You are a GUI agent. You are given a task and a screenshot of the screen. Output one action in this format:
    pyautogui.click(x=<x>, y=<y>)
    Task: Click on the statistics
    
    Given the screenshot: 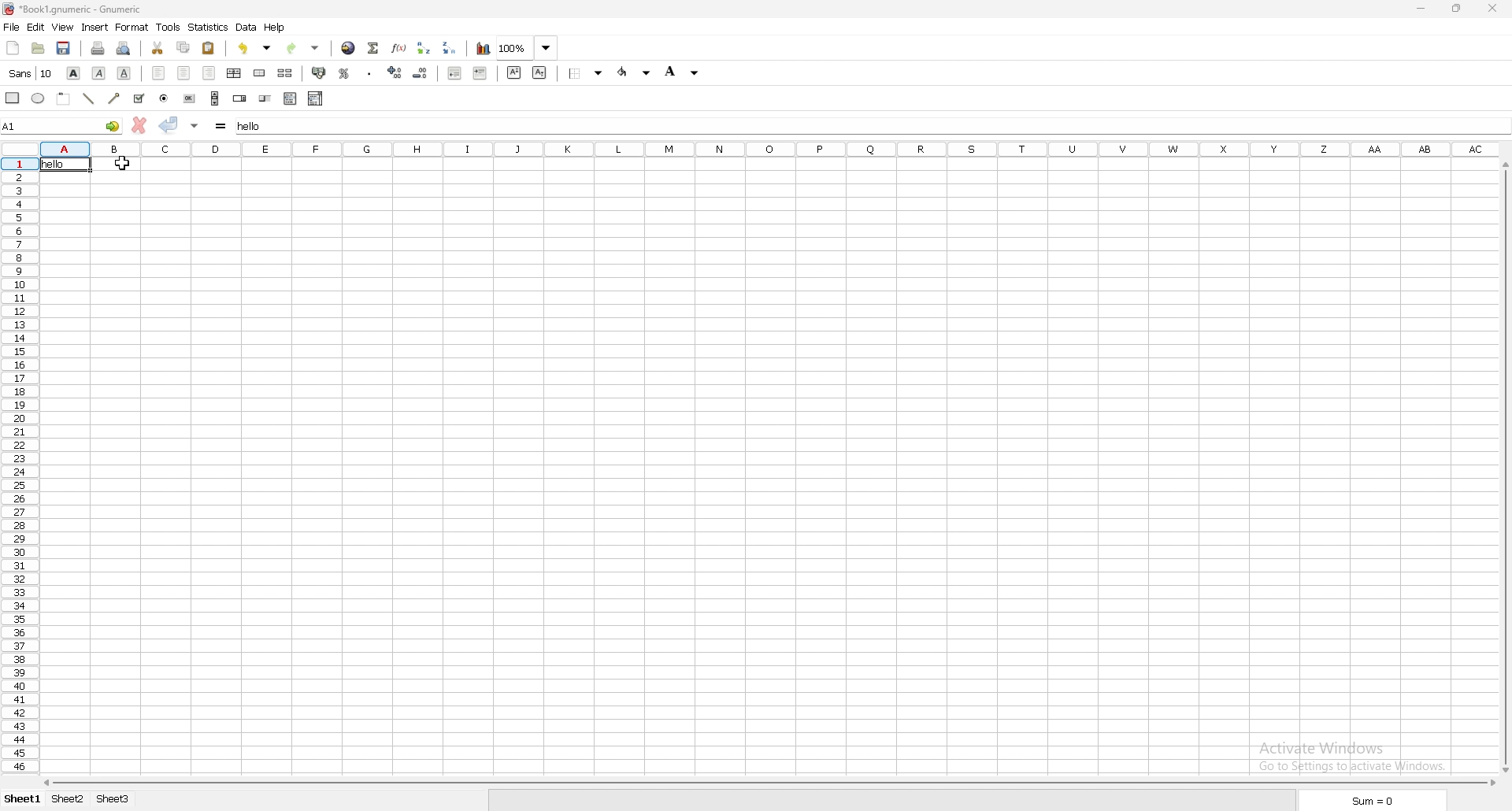 What is the action you would take?
    pyautogui.click(x=209, y=28)
    